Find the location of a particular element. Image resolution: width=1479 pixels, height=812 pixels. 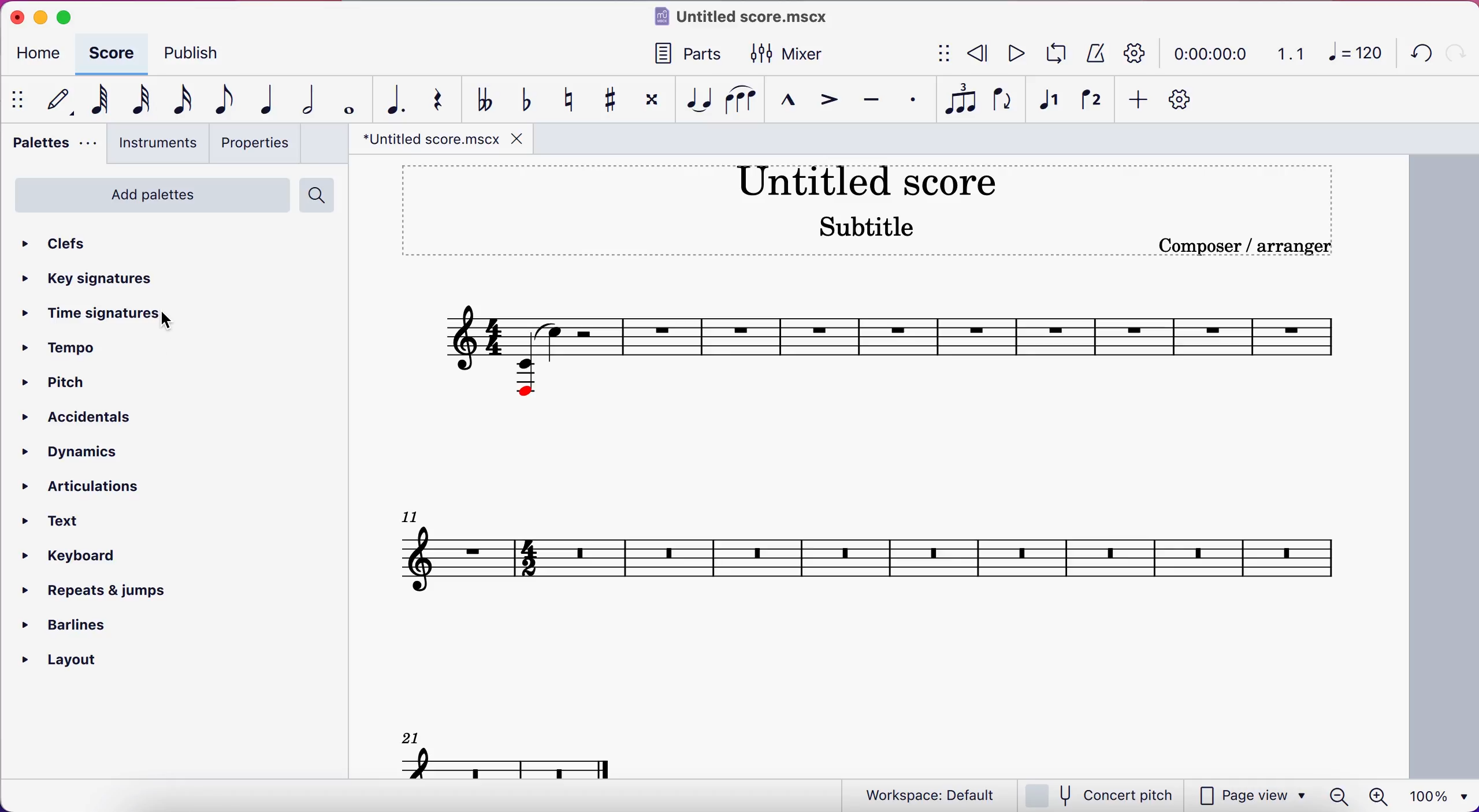

instruments is located at coordinates (153, 145).